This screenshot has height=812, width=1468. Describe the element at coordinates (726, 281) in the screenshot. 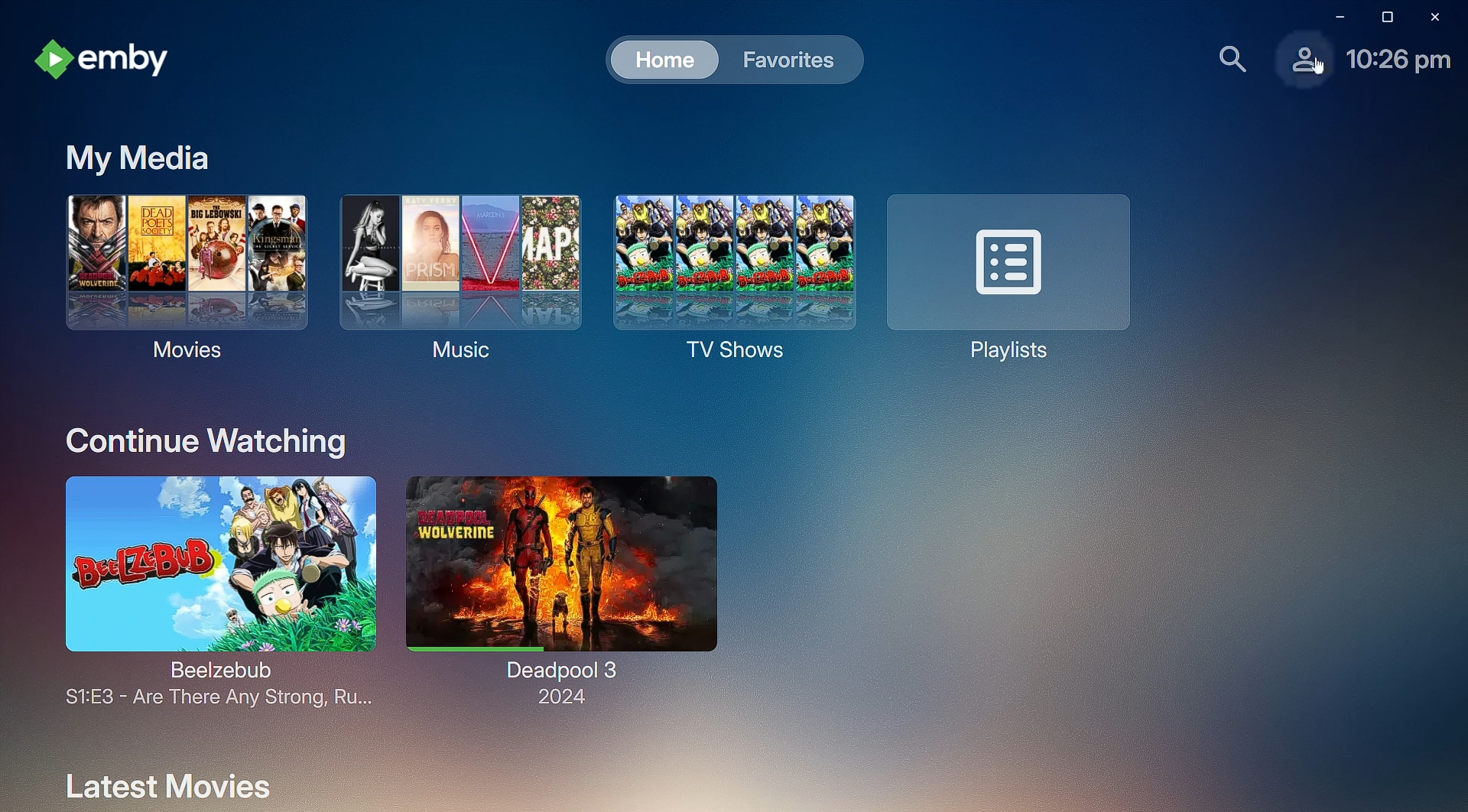

I see `TV Shows` at that location.